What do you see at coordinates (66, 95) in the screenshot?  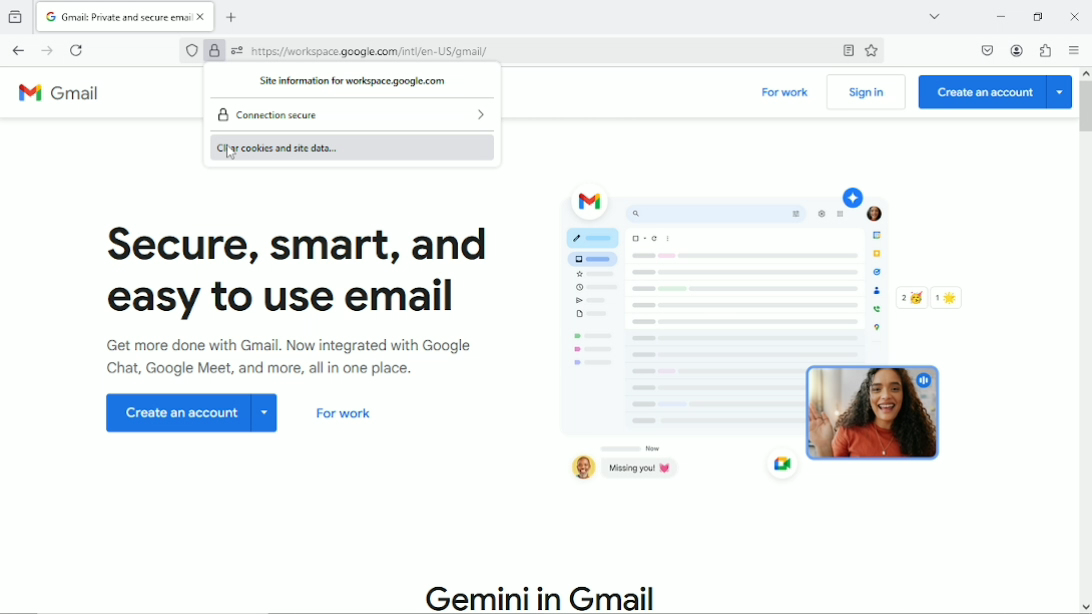 I see `Gmail` at bounding box center [66, 95].